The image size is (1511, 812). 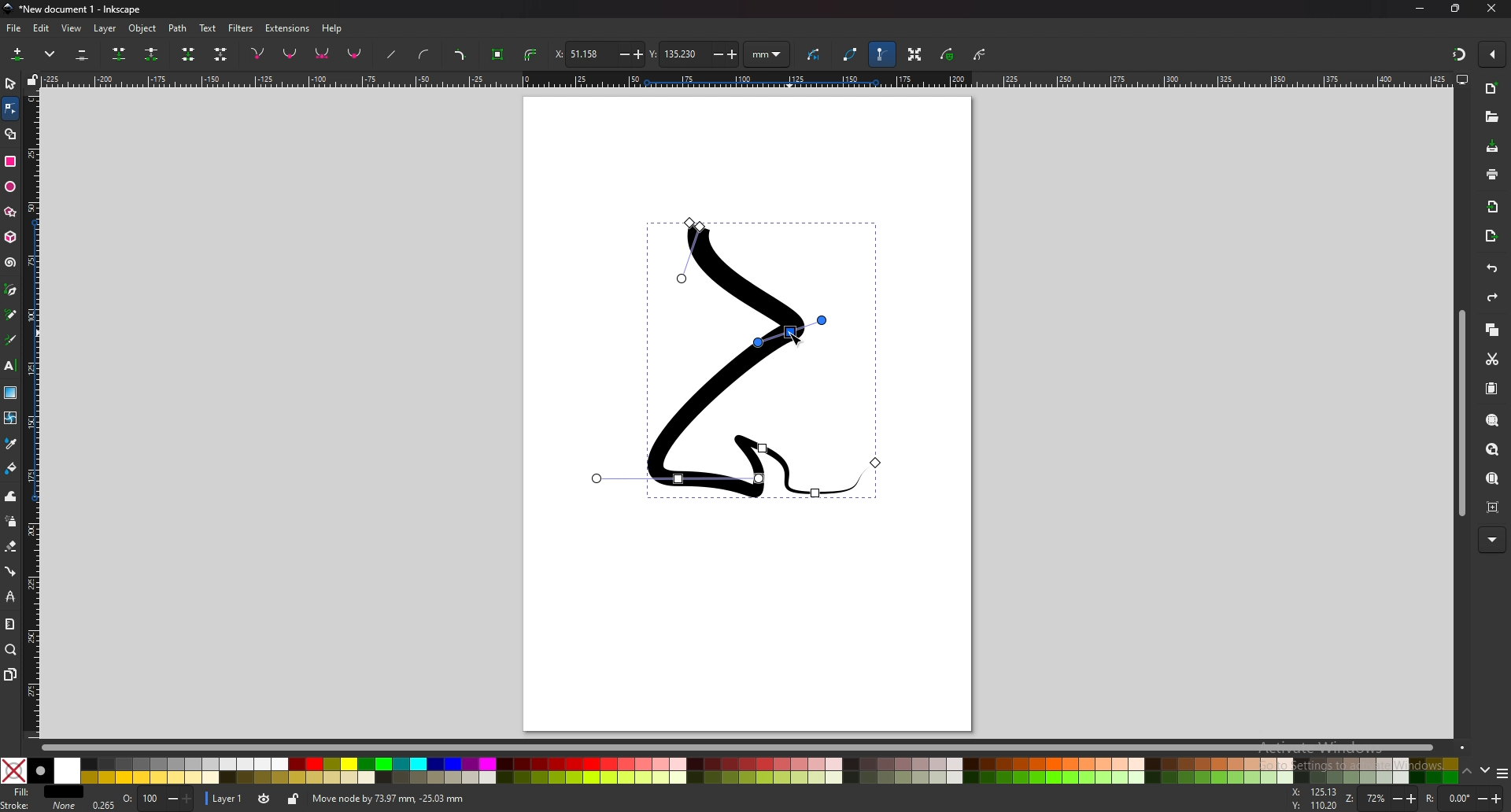 What do you see at coordinates (1493, 206) in the screenshot?
I see `import` at bounding box center [1493, 206].